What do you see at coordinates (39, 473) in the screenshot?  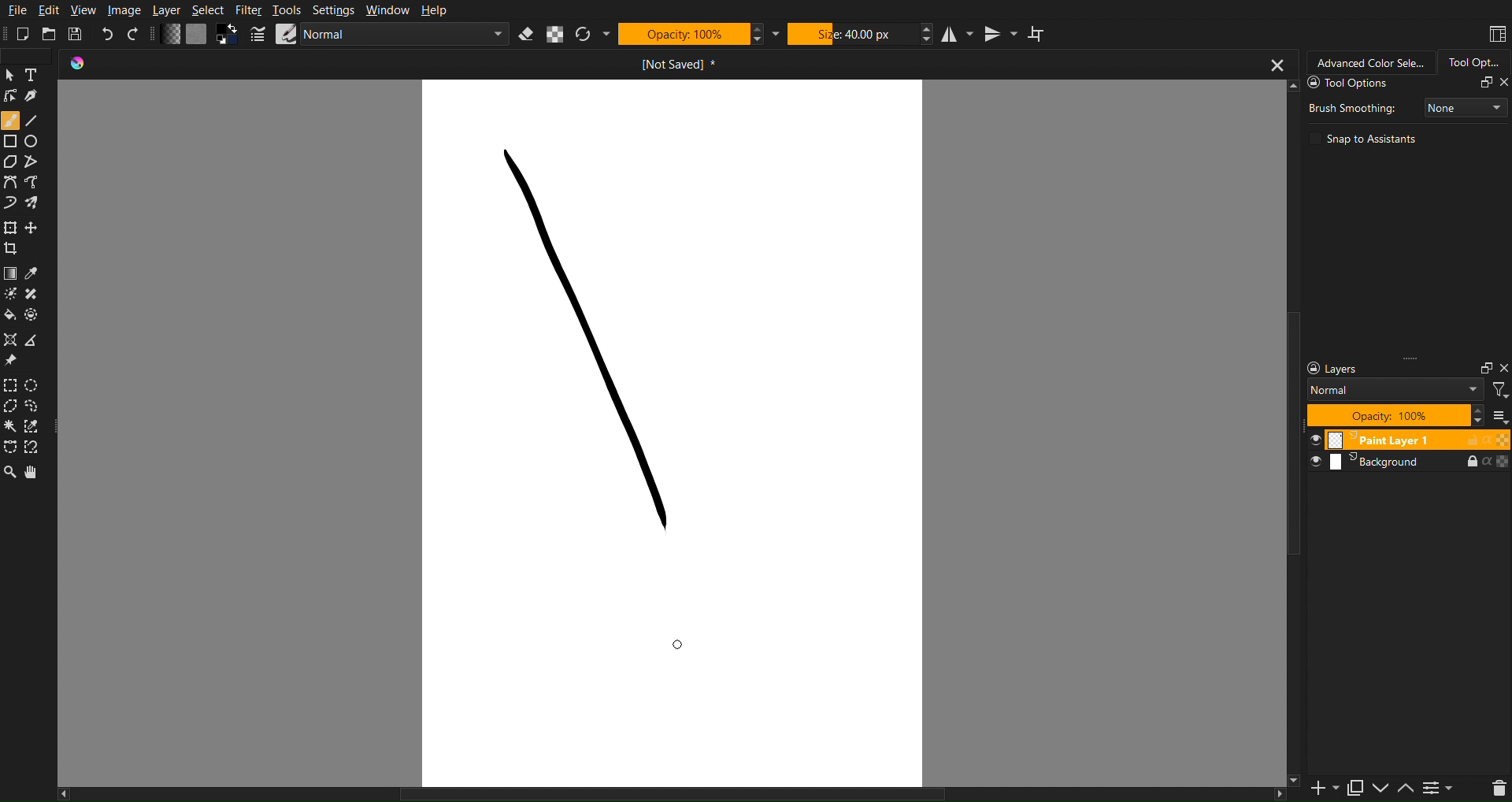 I see `Pan` at bounding box center [39, 473].